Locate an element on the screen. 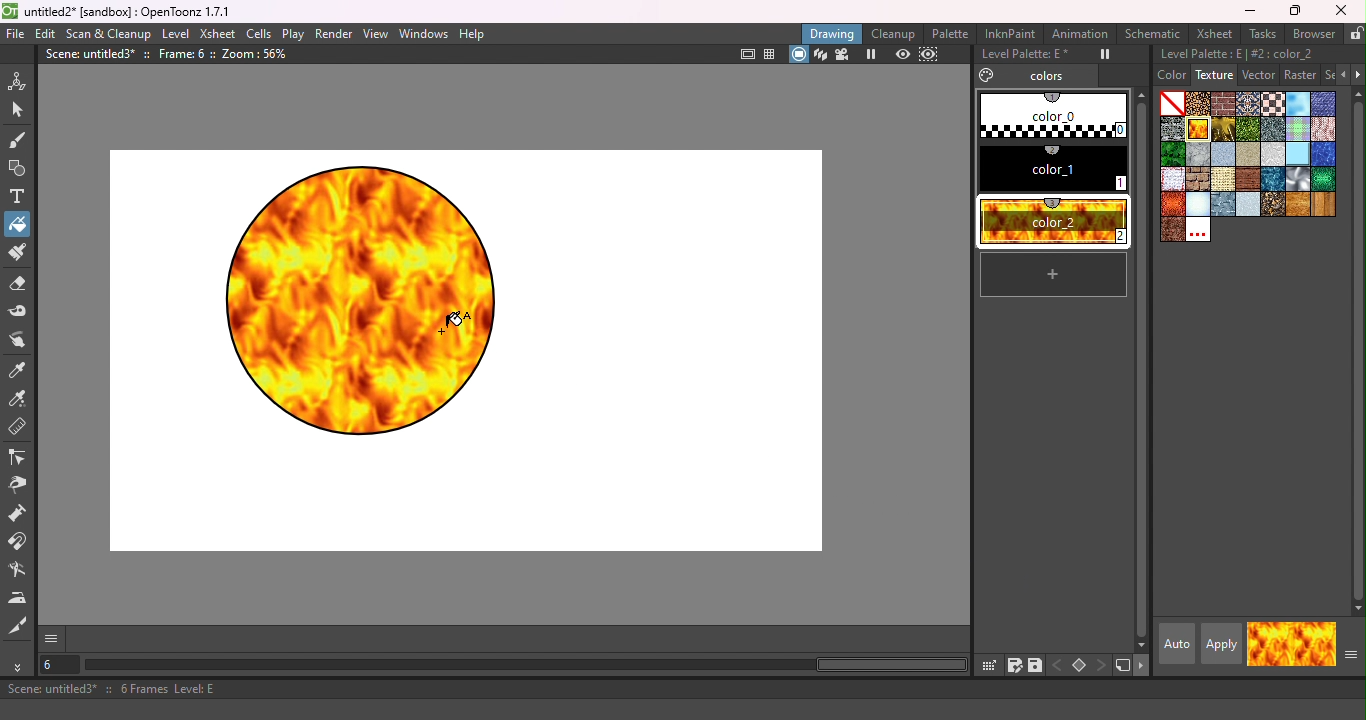 This screenshot has width=1366, height=720. Drystonewall.bmp is located at coordinates (1172, 129).